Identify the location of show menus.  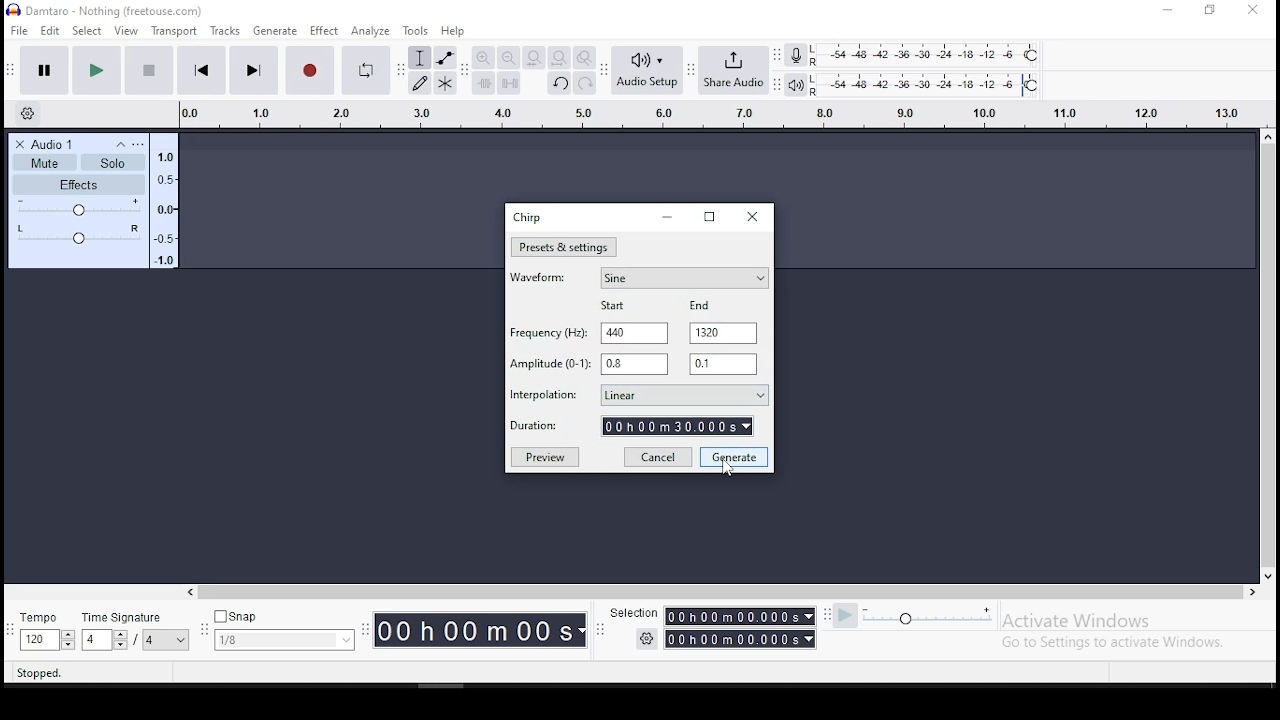
(201, 632).